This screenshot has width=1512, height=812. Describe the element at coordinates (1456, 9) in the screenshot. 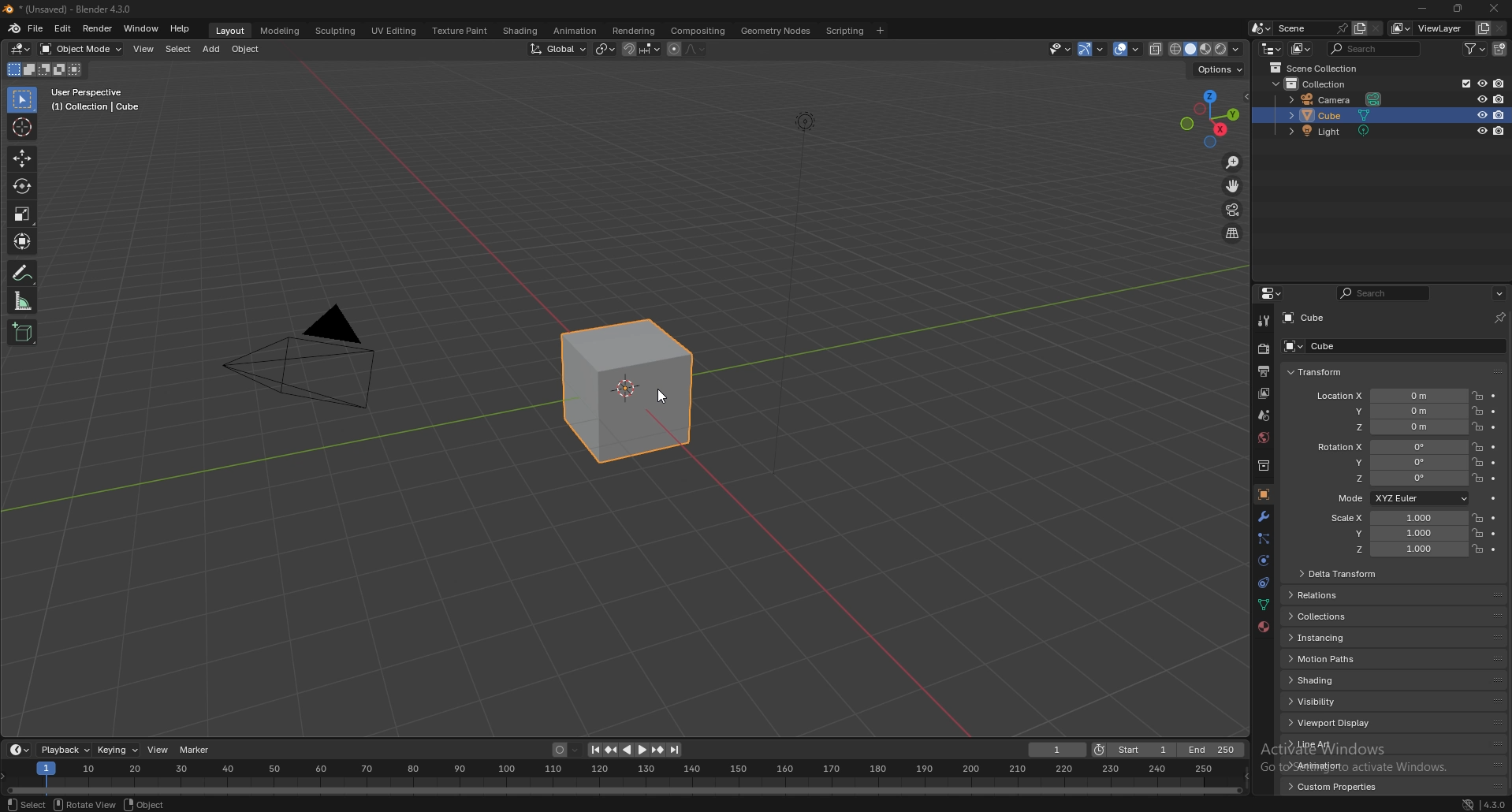

I see `resize` at that location.